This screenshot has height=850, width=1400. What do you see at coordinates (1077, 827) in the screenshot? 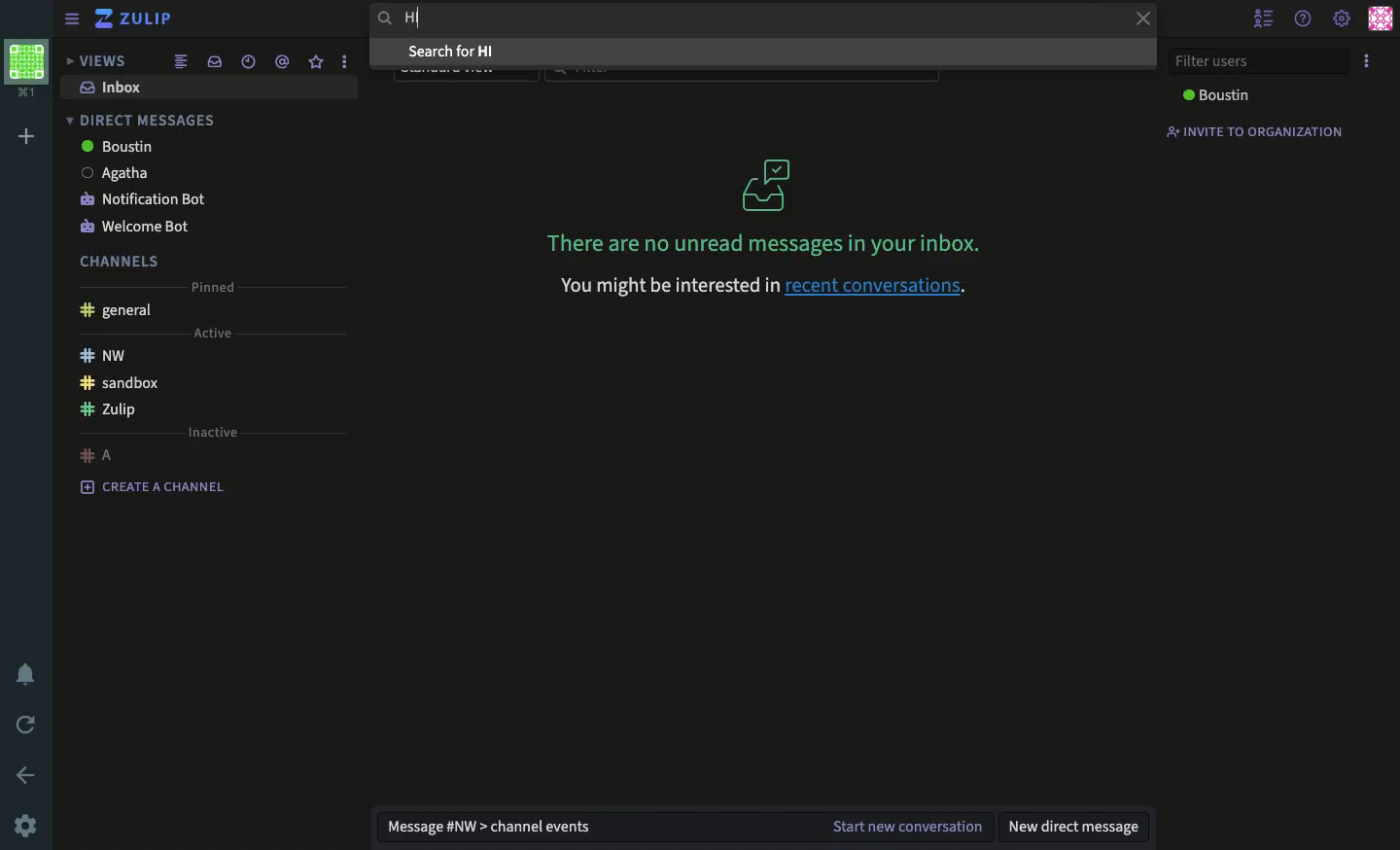
I see `new direct message` at bounding box center [1077, 827].